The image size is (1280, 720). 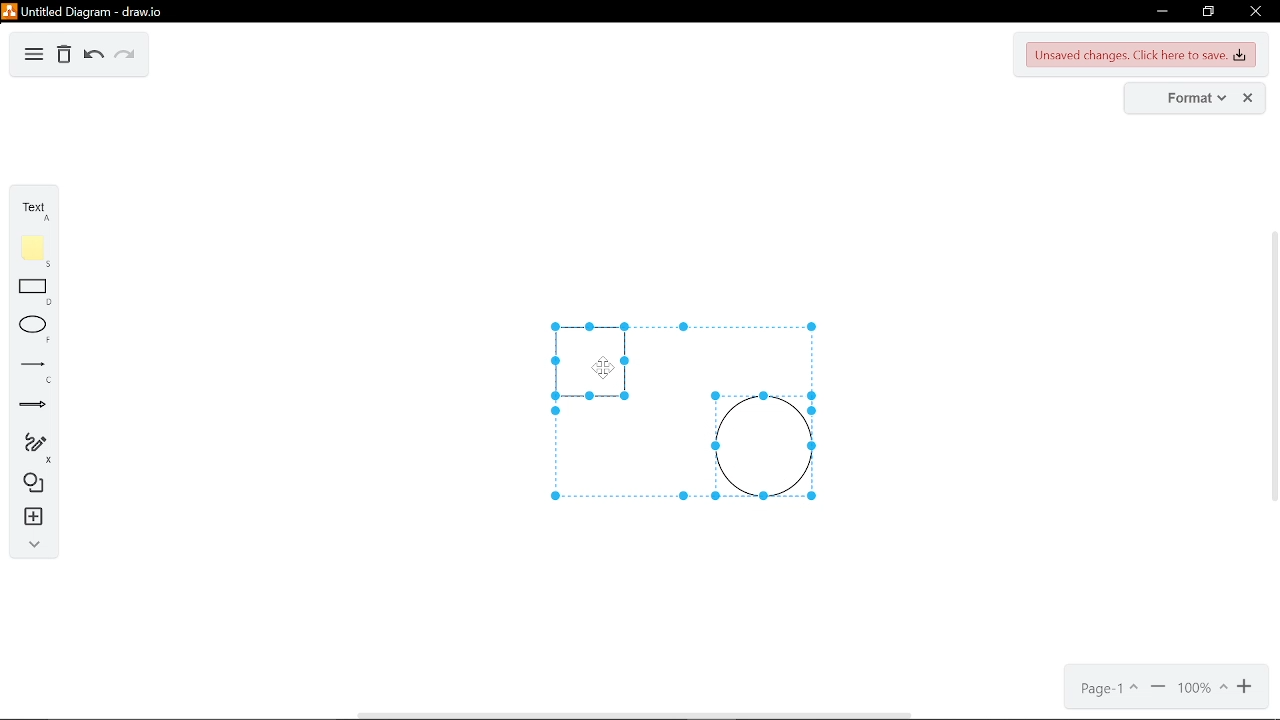 I want to click on line, so click(x=30, y=370).